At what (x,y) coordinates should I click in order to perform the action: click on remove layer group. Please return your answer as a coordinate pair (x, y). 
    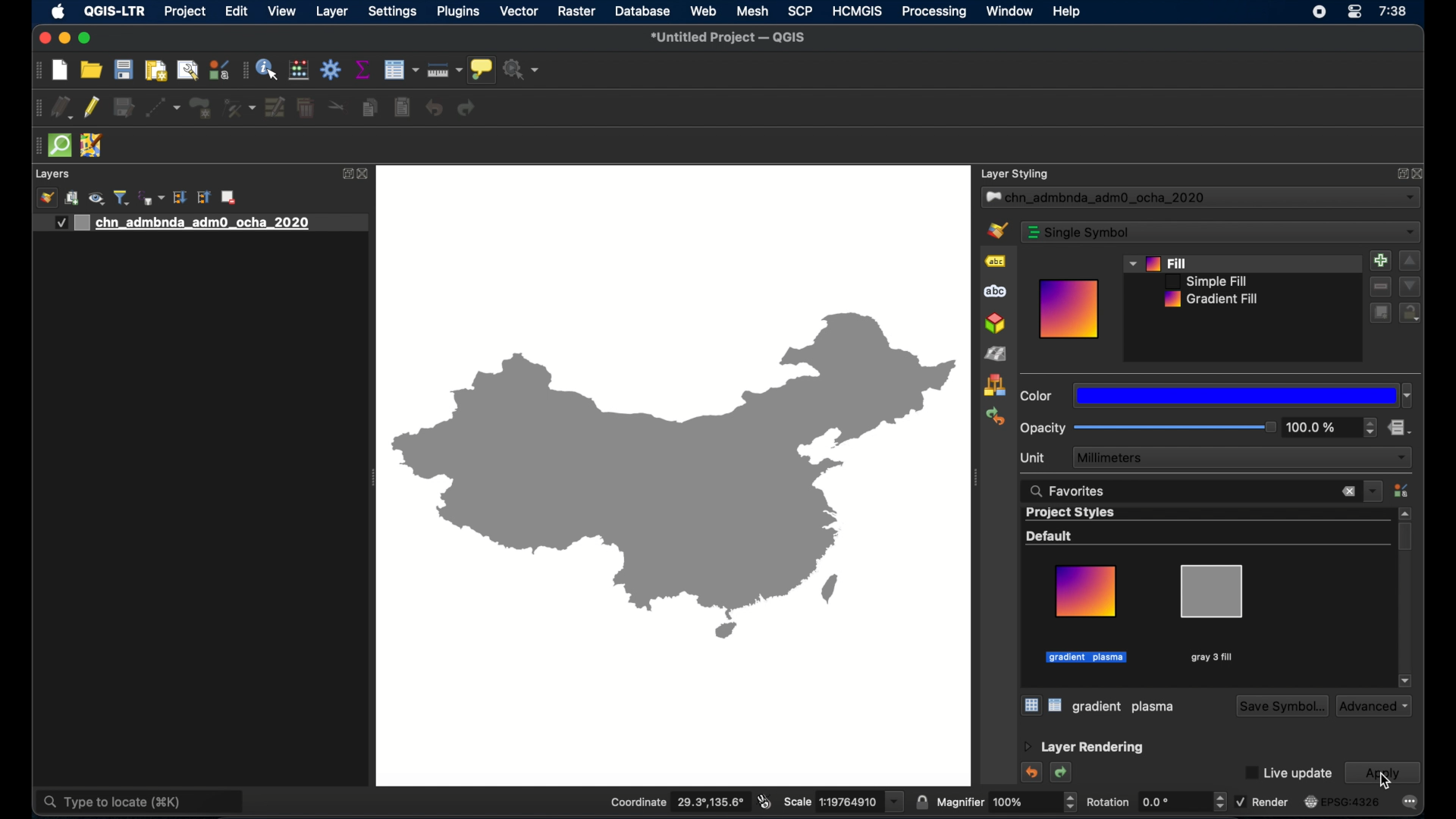
    Looking at the image, I should click on (228, 197).